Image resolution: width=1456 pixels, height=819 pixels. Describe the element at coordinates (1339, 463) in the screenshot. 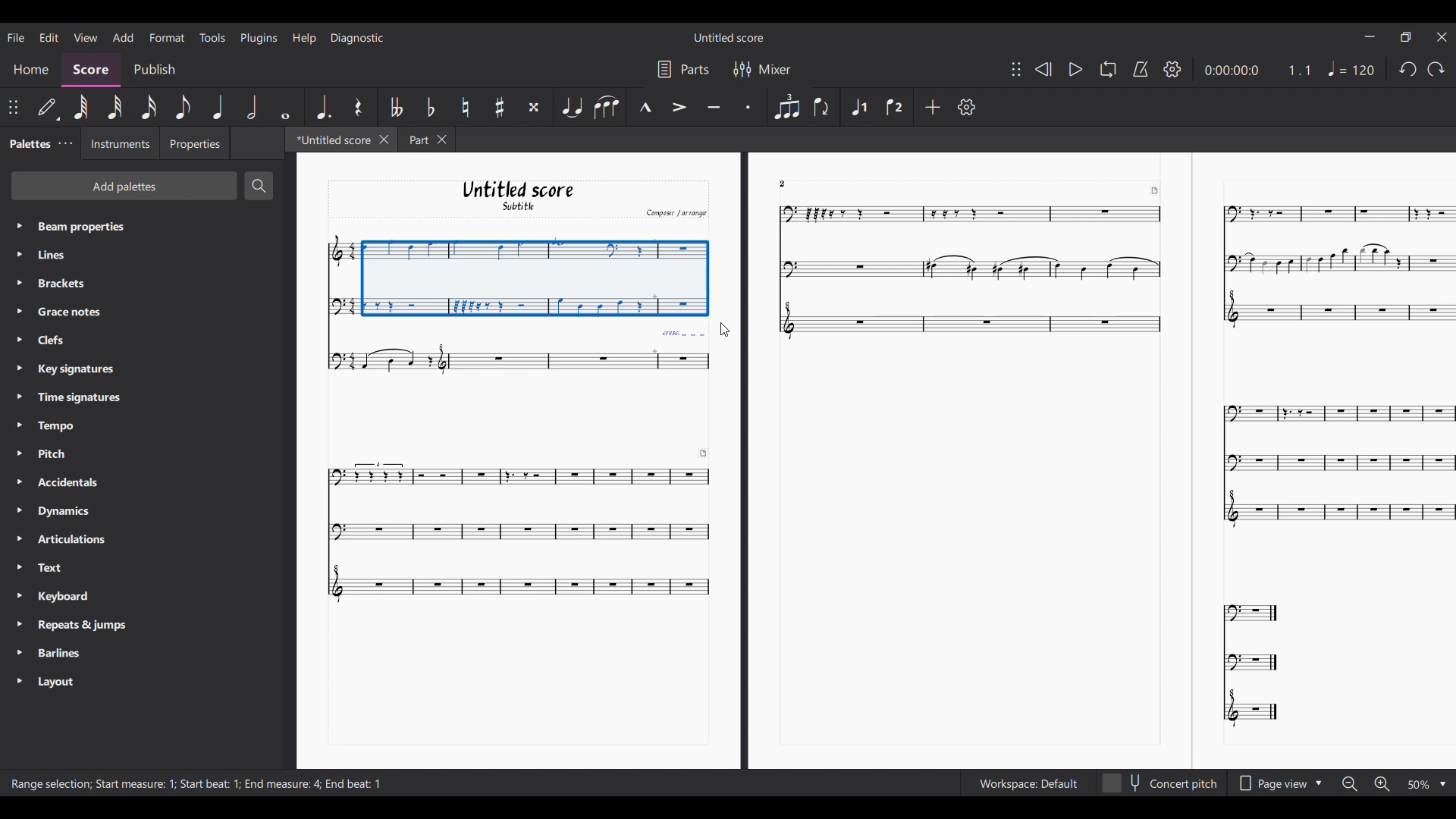

I see `` at that location.